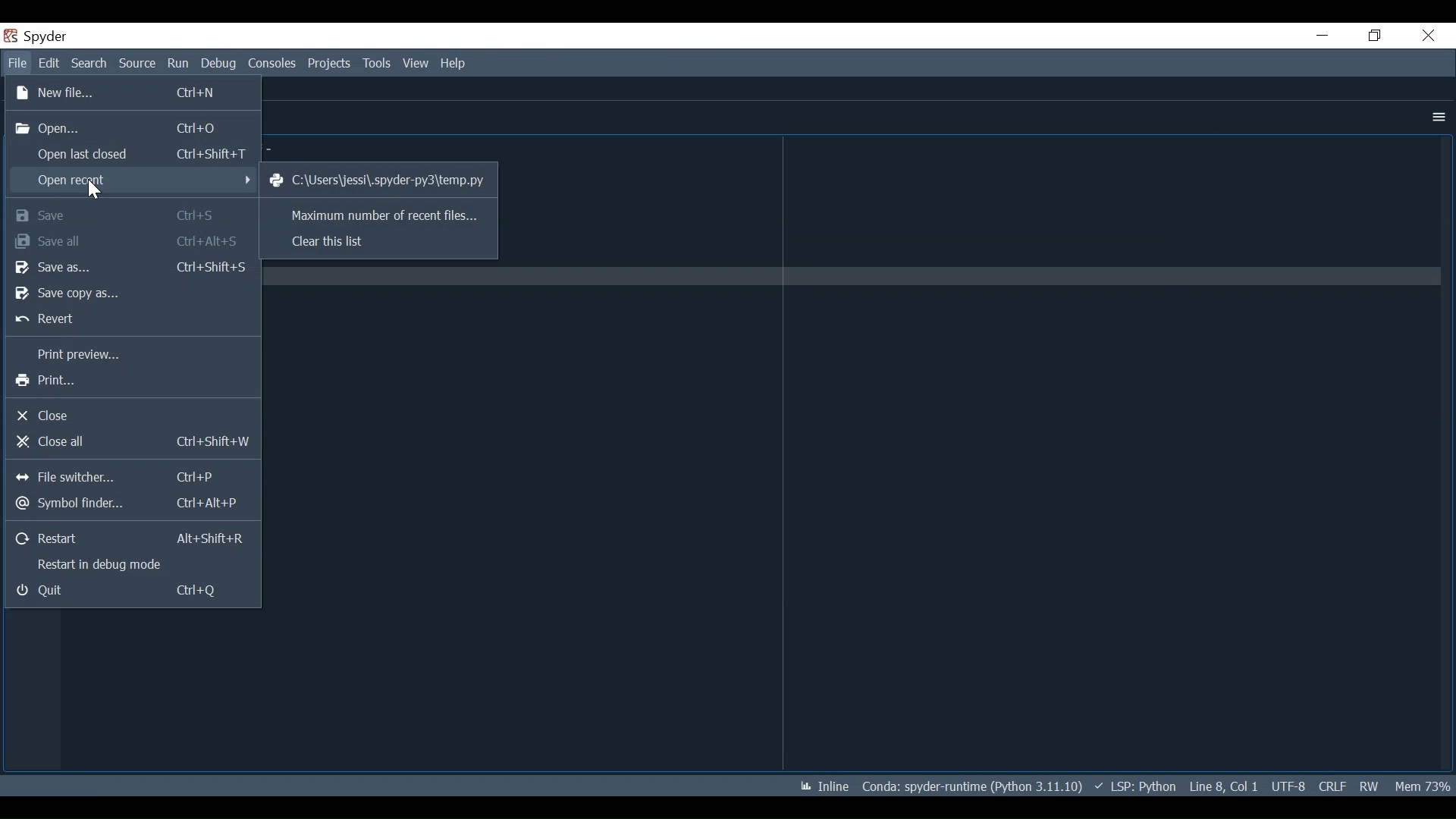  What do you see at coordinates (133, 152) in the screenshot?
I see `Open last closed` at bounding box center [133, 152].